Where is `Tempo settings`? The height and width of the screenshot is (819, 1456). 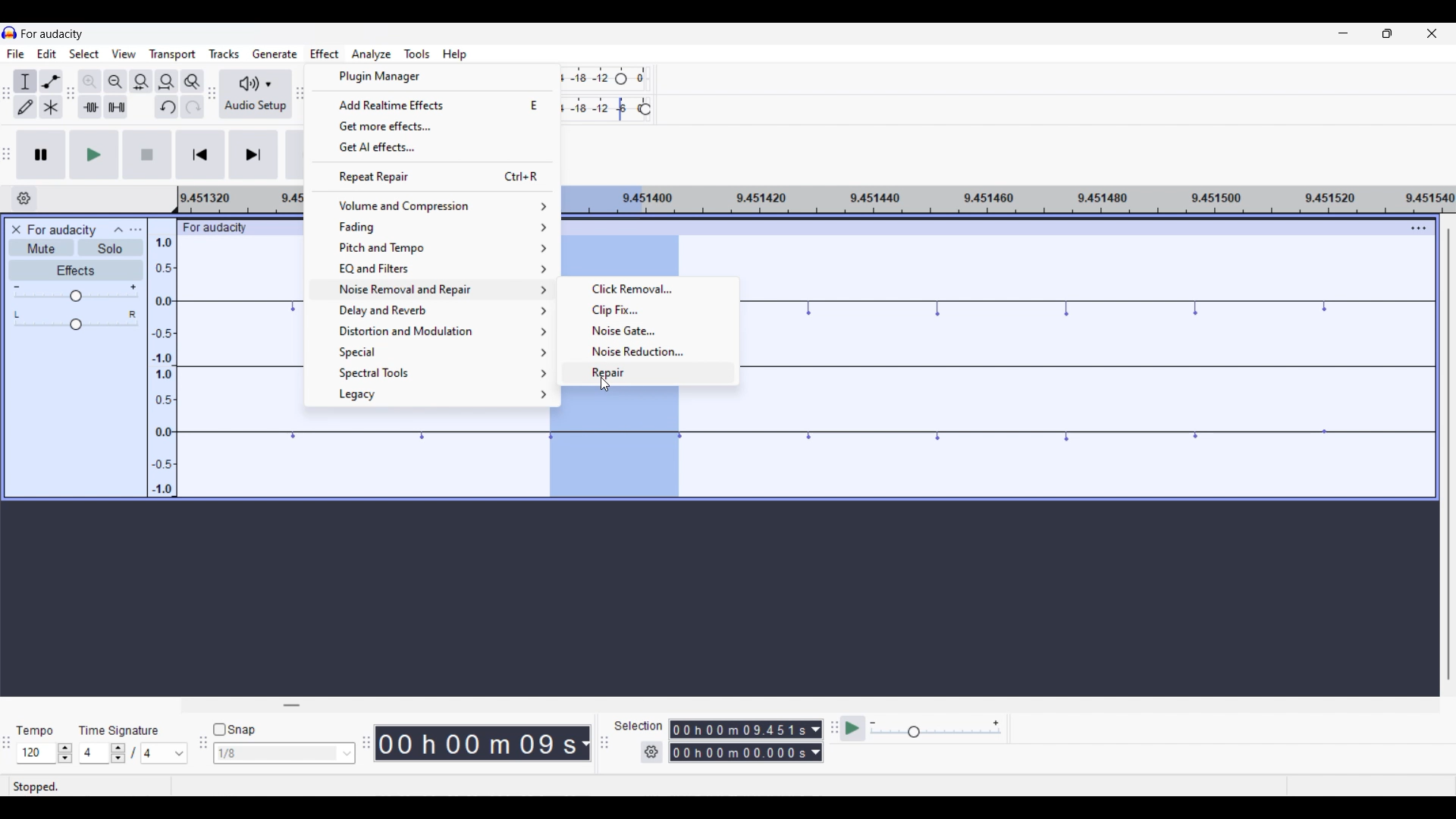
Tempo settings is located at coordinates (45, 752).